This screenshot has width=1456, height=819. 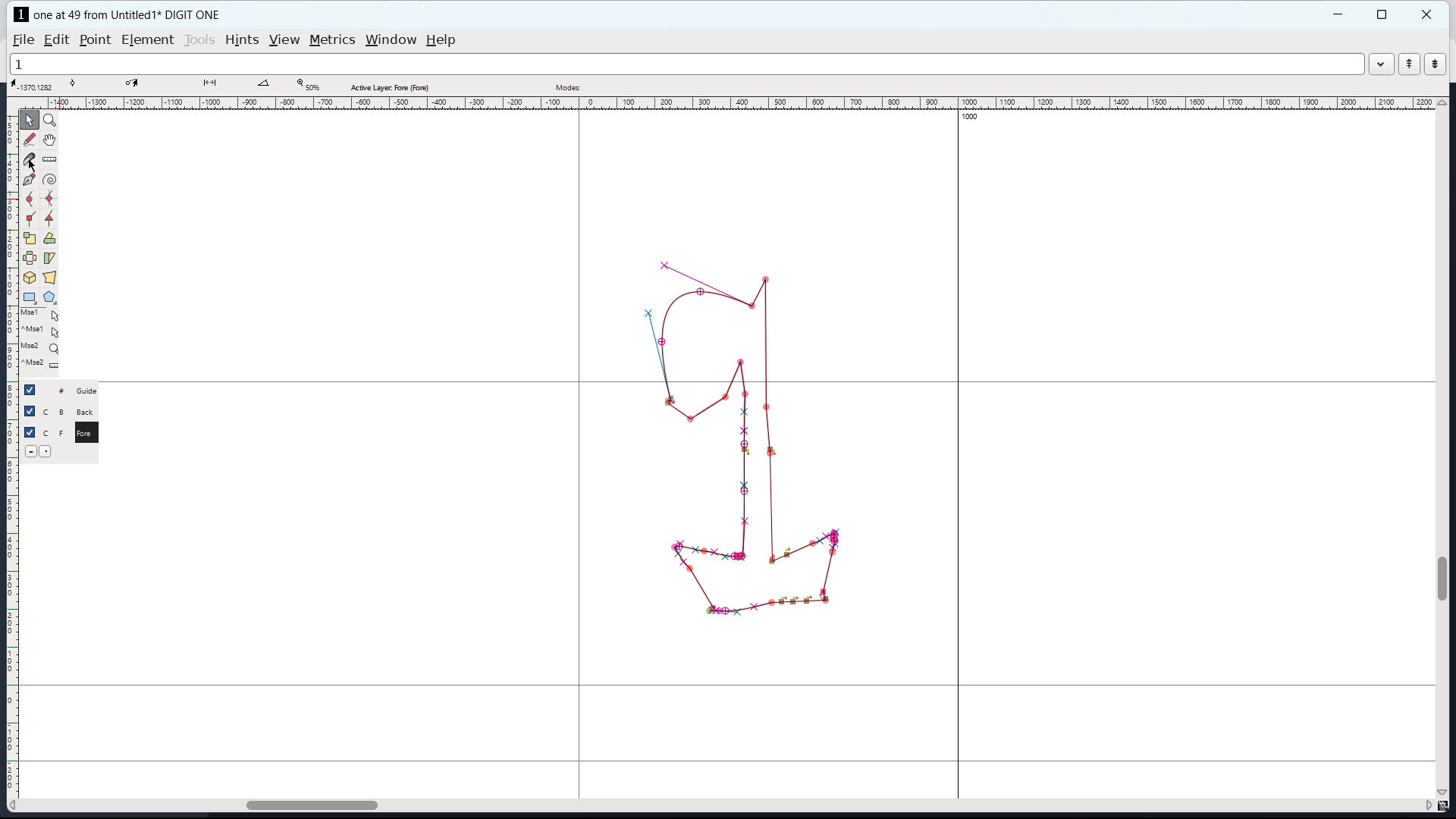 I want to click on vertical ruler, so click(x=12, y=457).